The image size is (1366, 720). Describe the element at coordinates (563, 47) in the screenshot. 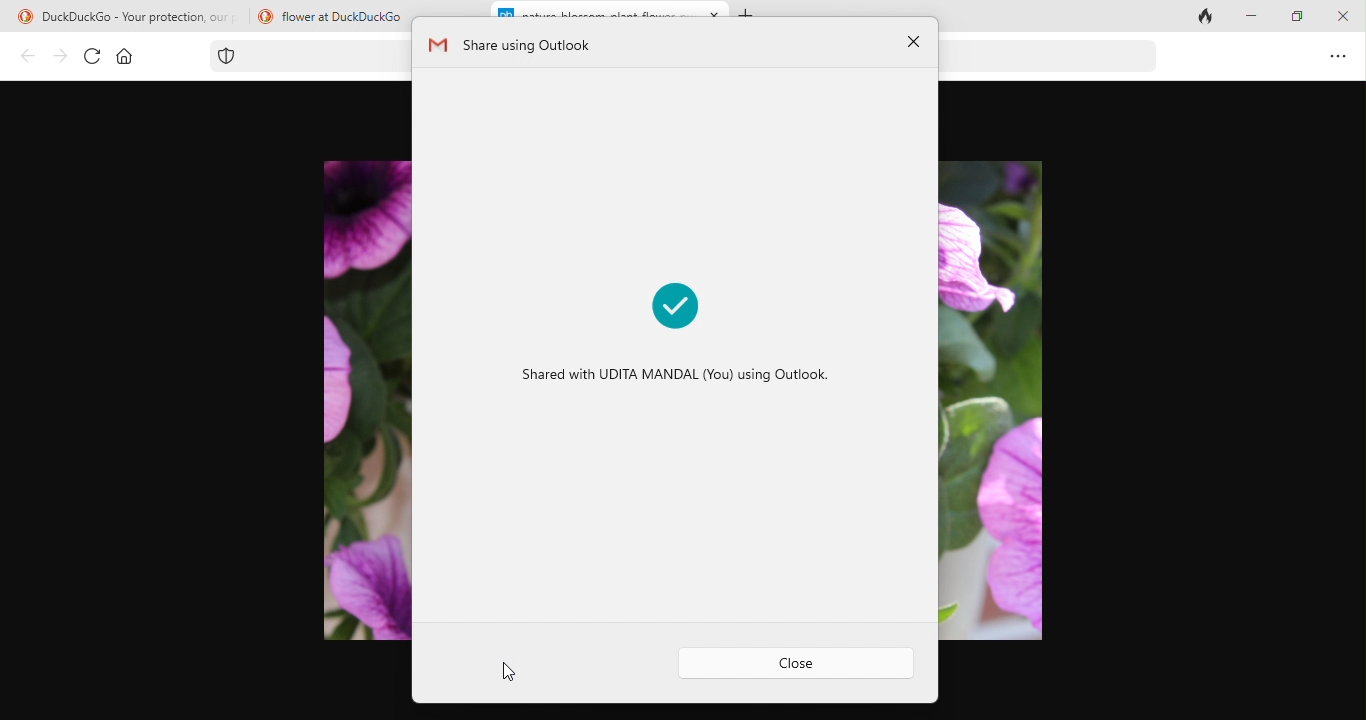

I see `share using outlook` at that location.